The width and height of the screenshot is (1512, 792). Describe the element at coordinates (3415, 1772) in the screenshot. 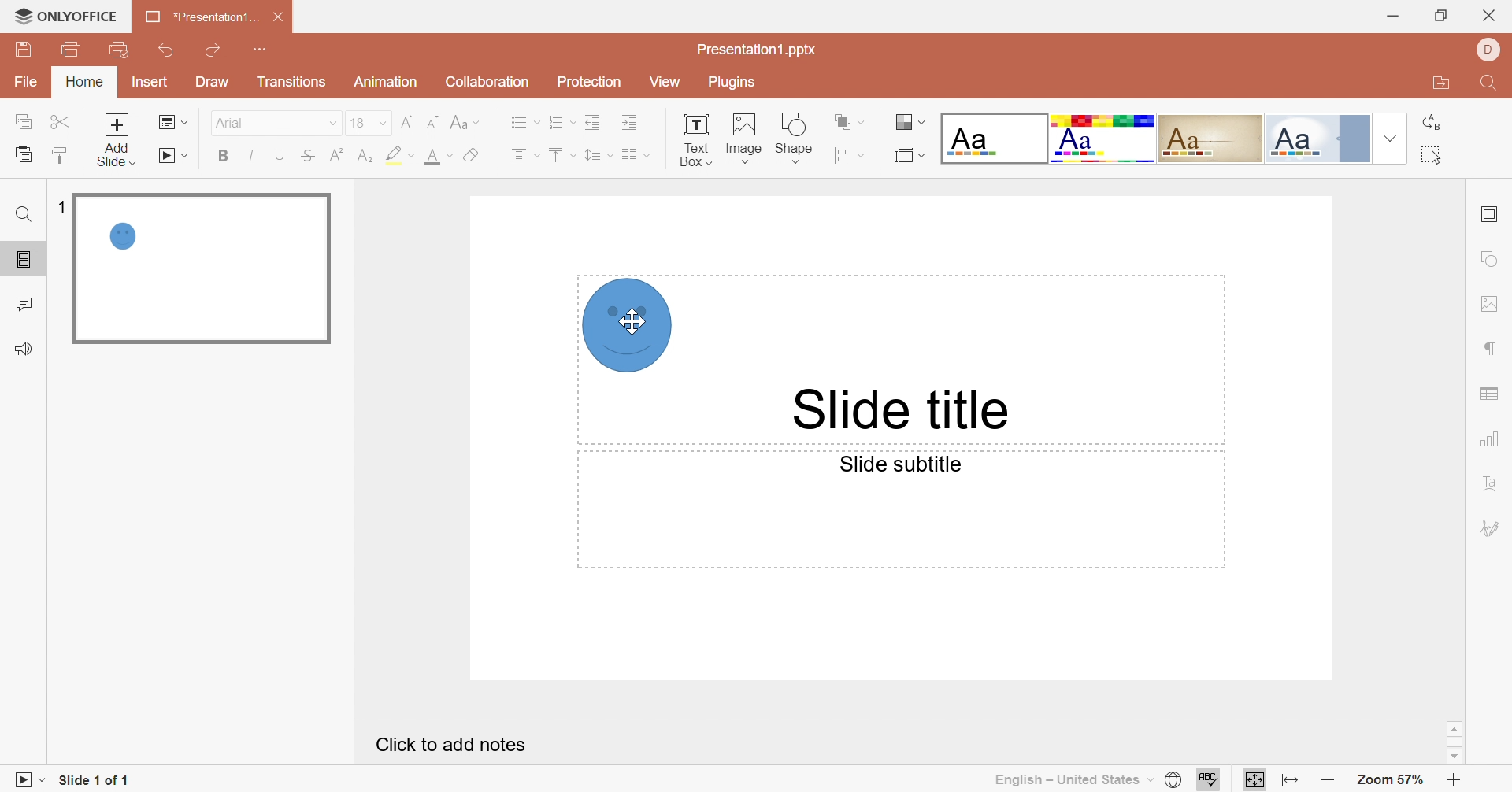

I see `Scroll Down` at that location.